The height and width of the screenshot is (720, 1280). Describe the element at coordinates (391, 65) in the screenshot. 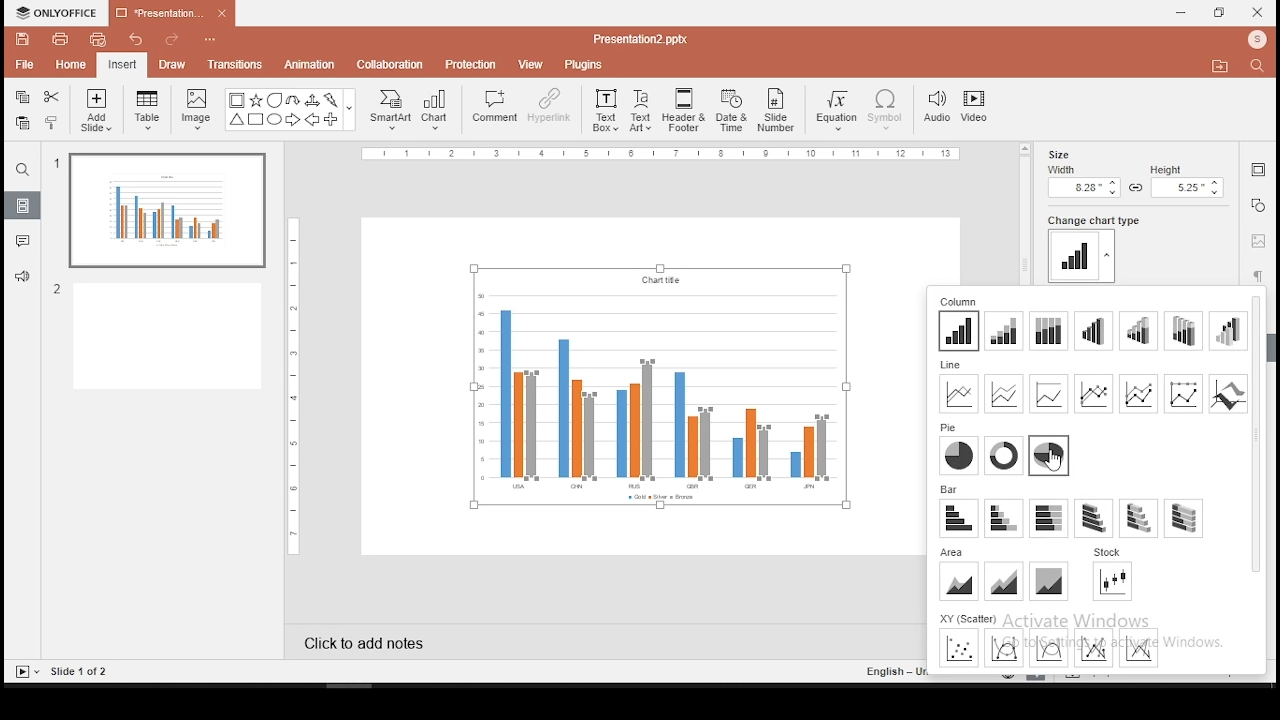

I see `collaboration` at that location.